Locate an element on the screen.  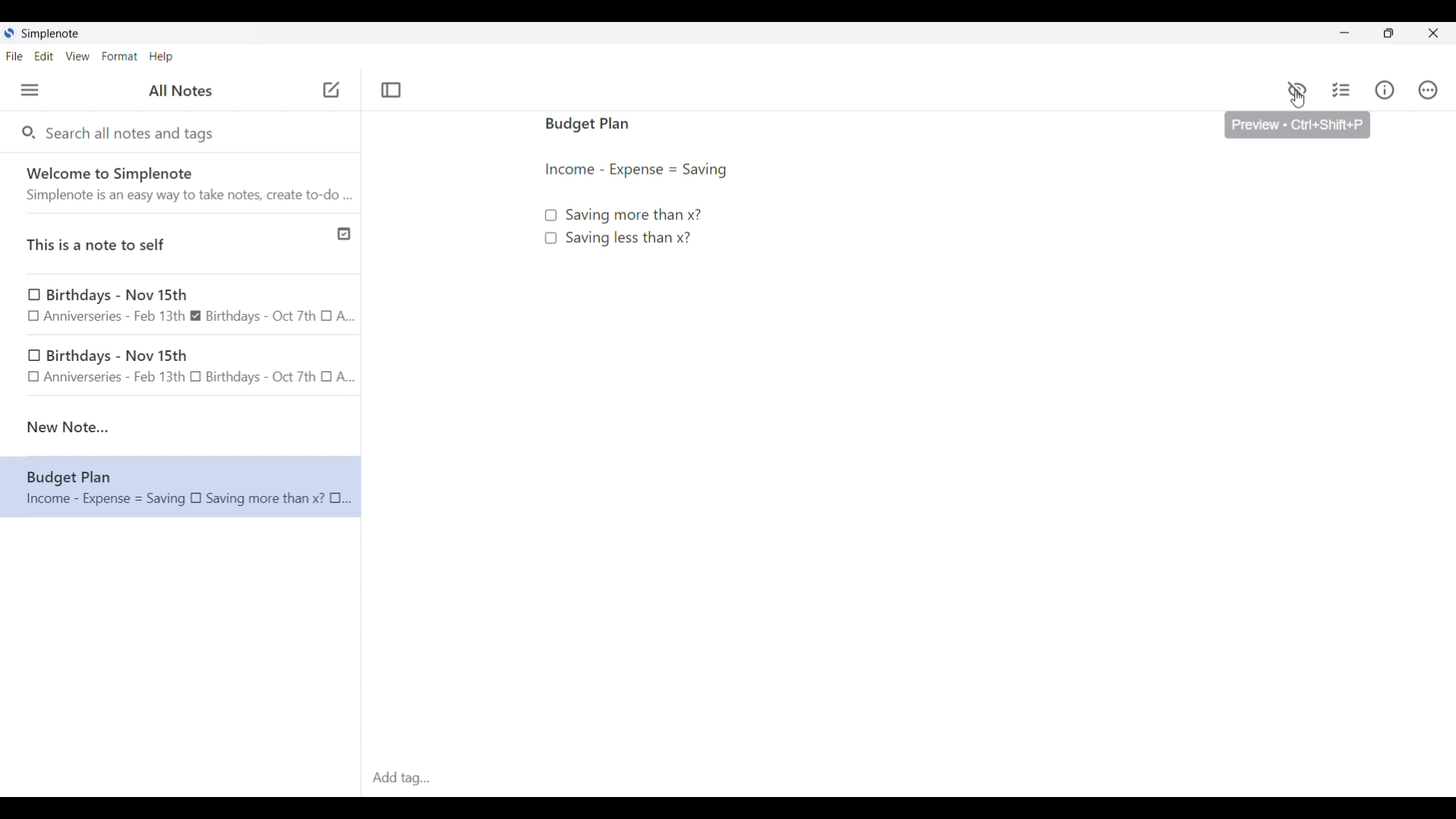
Actions is located at coordinates (1427, 90).